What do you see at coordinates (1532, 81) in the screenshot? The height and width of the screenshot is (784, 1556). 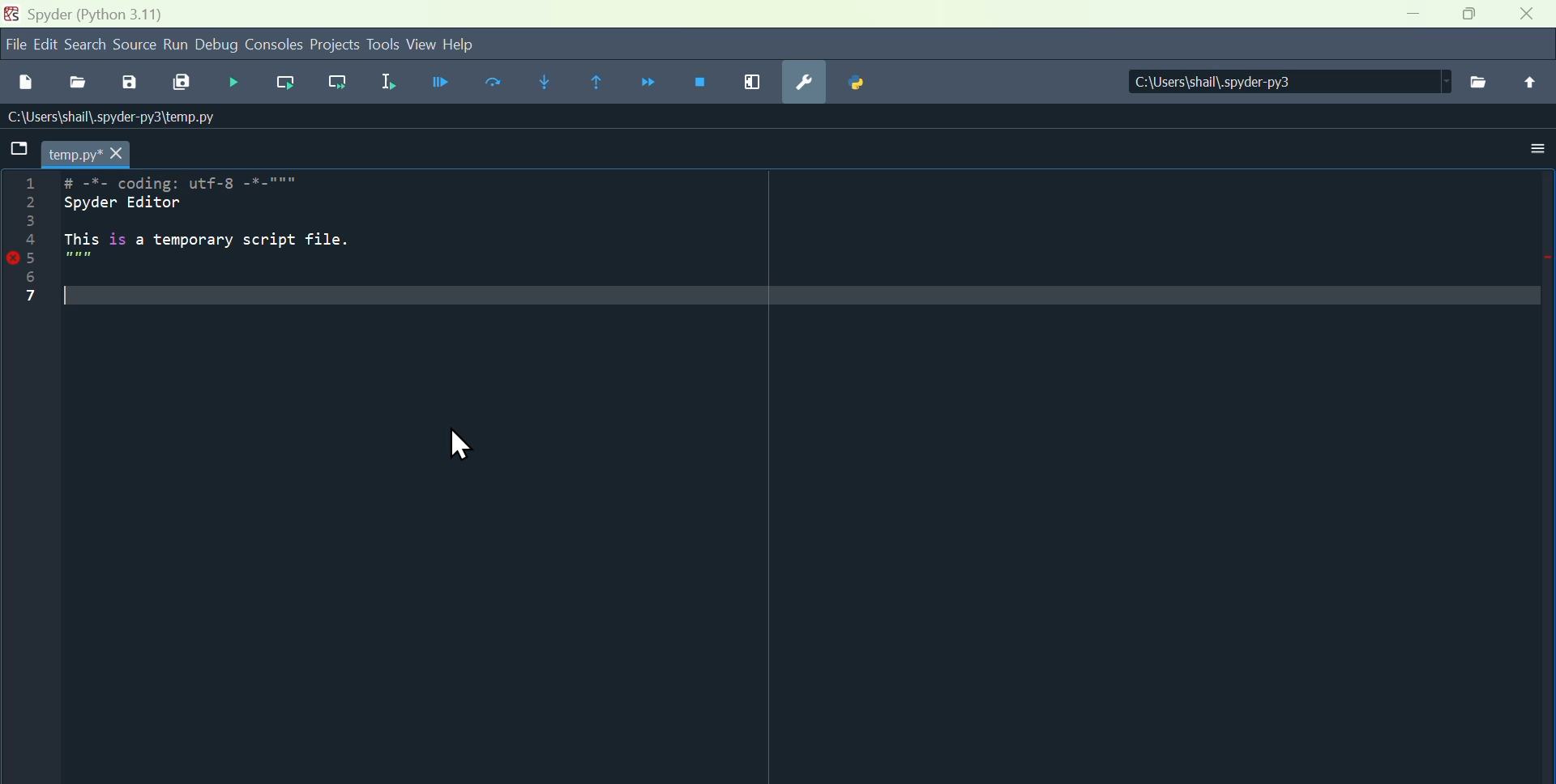 I see `Upload File` at bounding box center [1532, 81].